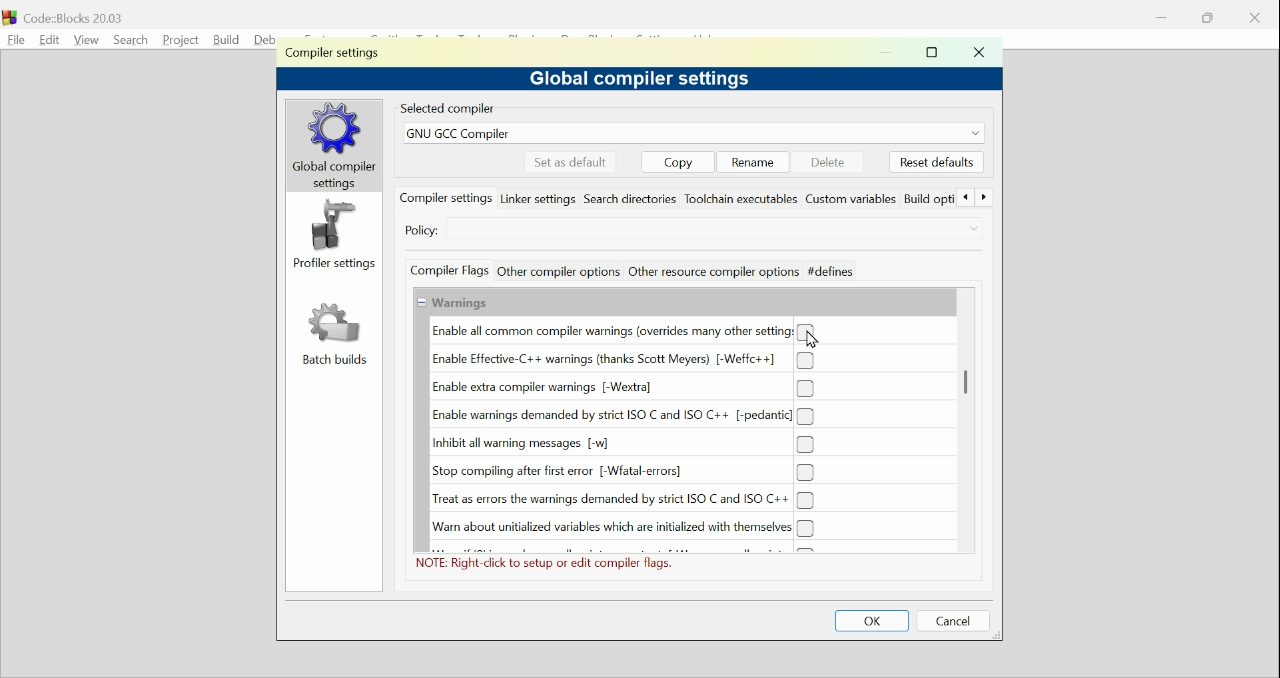  I want to click on Set as default, so click(570, 161).